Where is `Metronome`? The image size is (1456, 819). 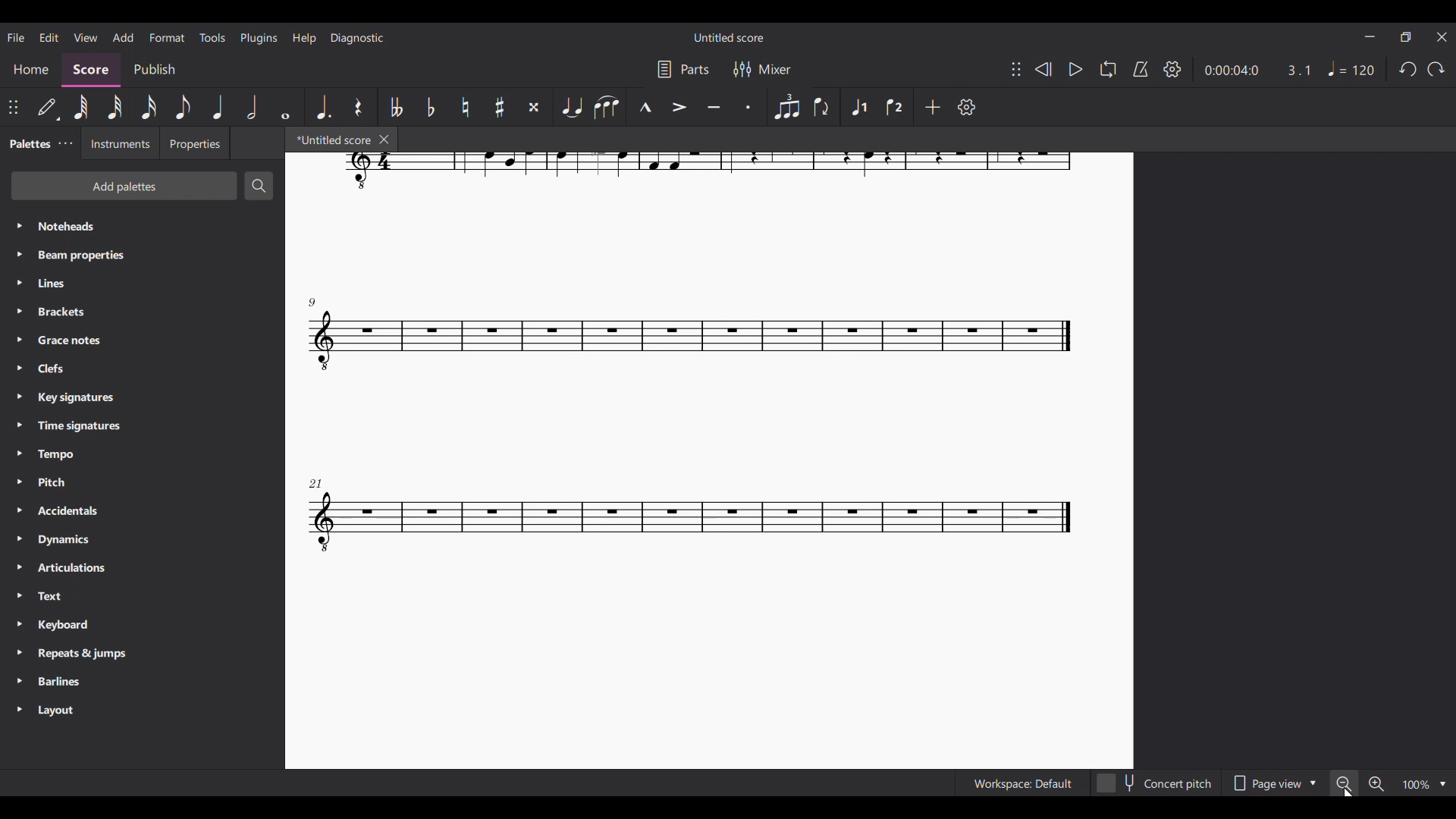
Metronome is located at coordinates (1141, 69).